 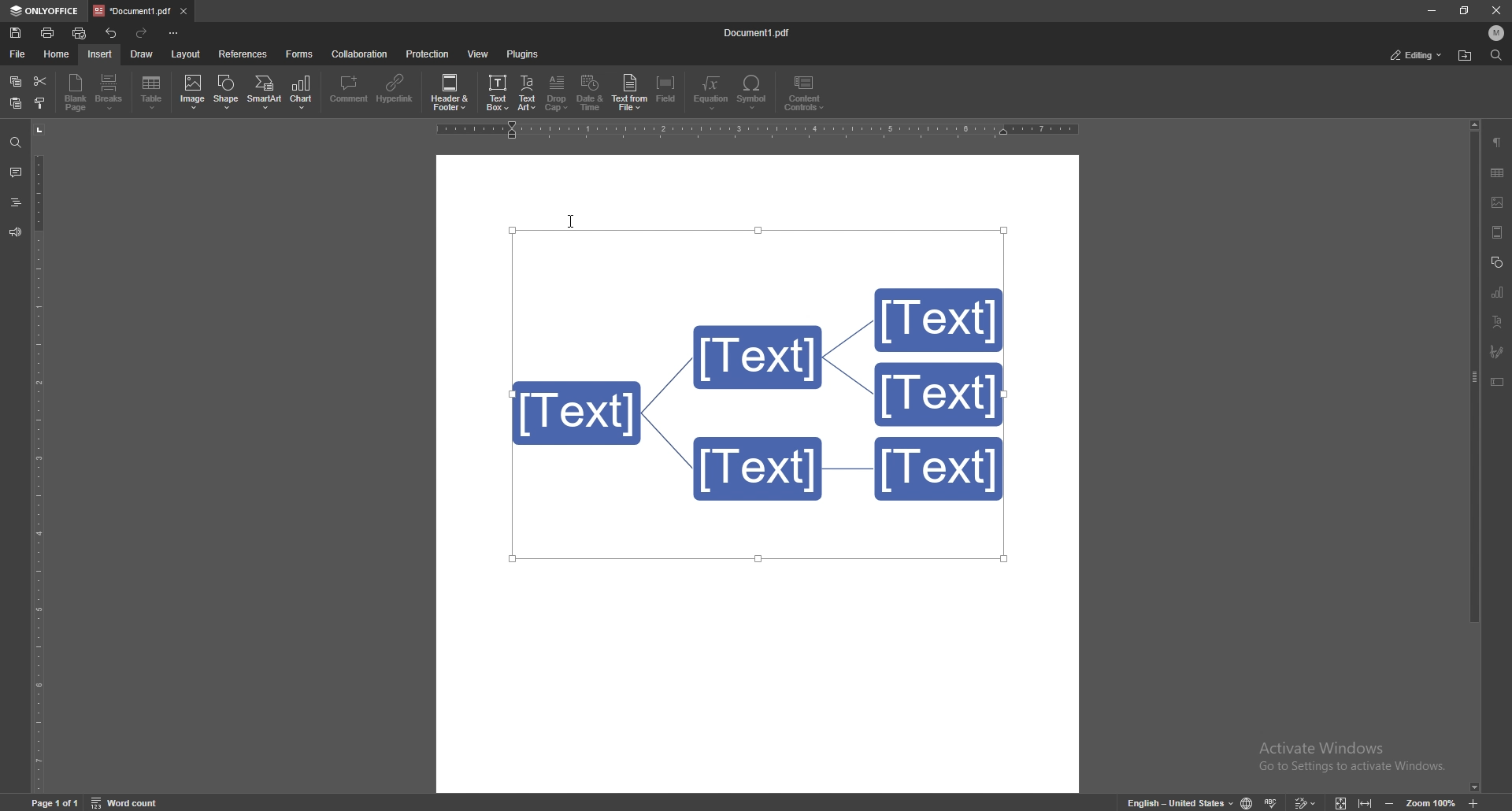 What do you see at coordinates (17, 172) in the screenshot?
I see `comment` at bounding box center [17, 172].